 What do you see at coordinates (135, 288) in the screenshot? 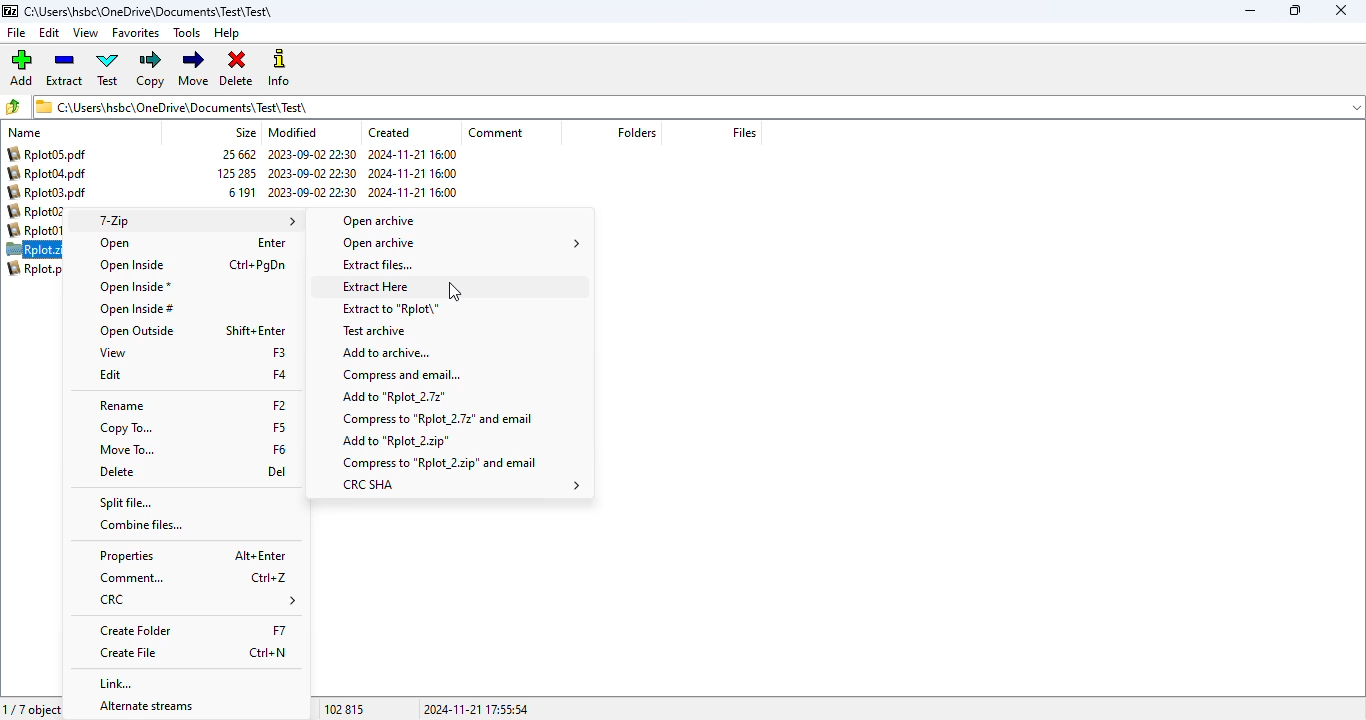
I see `open inside*` at bounding box center [135, 288].